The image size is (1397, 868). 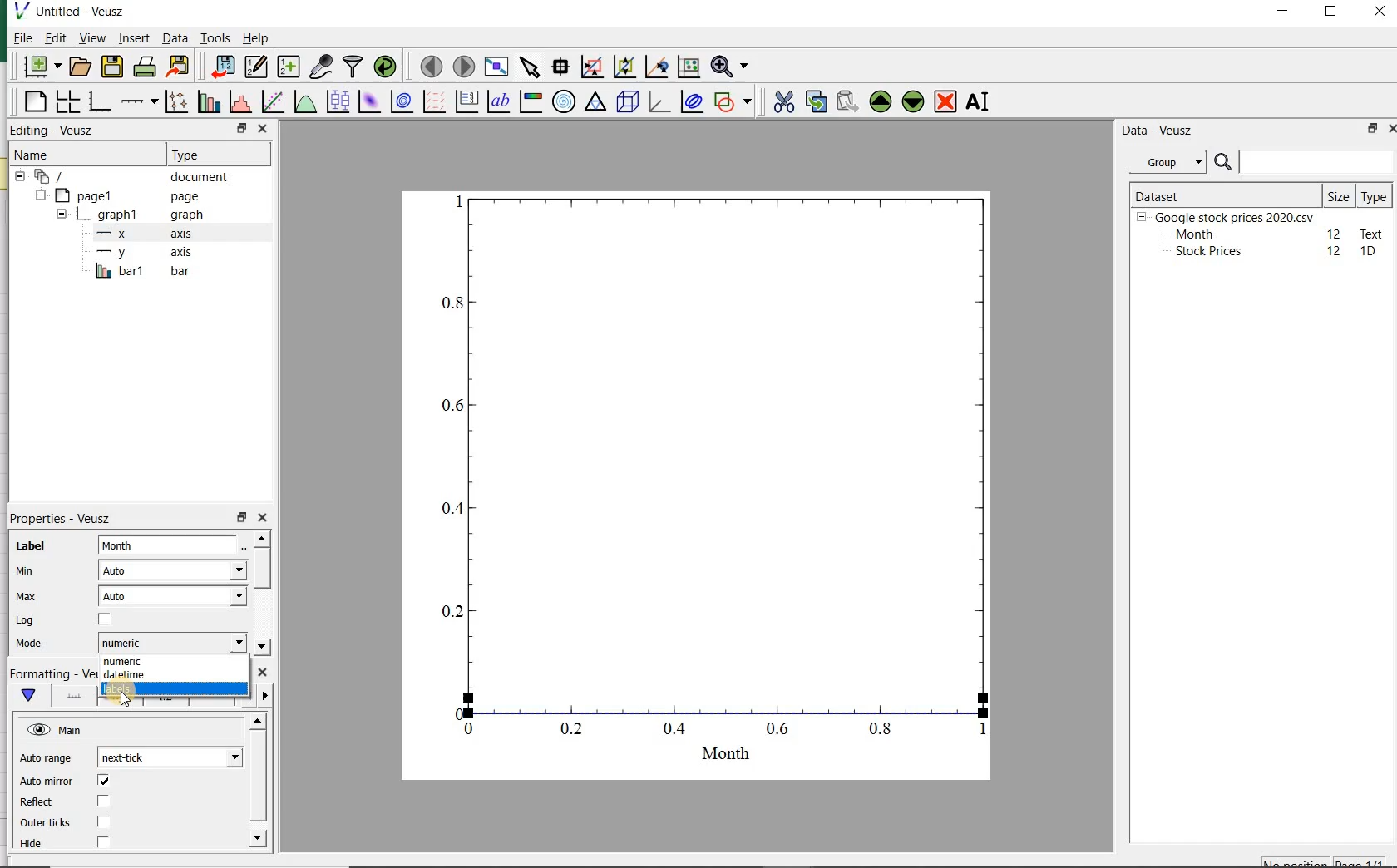 I want to click on graph1, so click(x=127, y=216).